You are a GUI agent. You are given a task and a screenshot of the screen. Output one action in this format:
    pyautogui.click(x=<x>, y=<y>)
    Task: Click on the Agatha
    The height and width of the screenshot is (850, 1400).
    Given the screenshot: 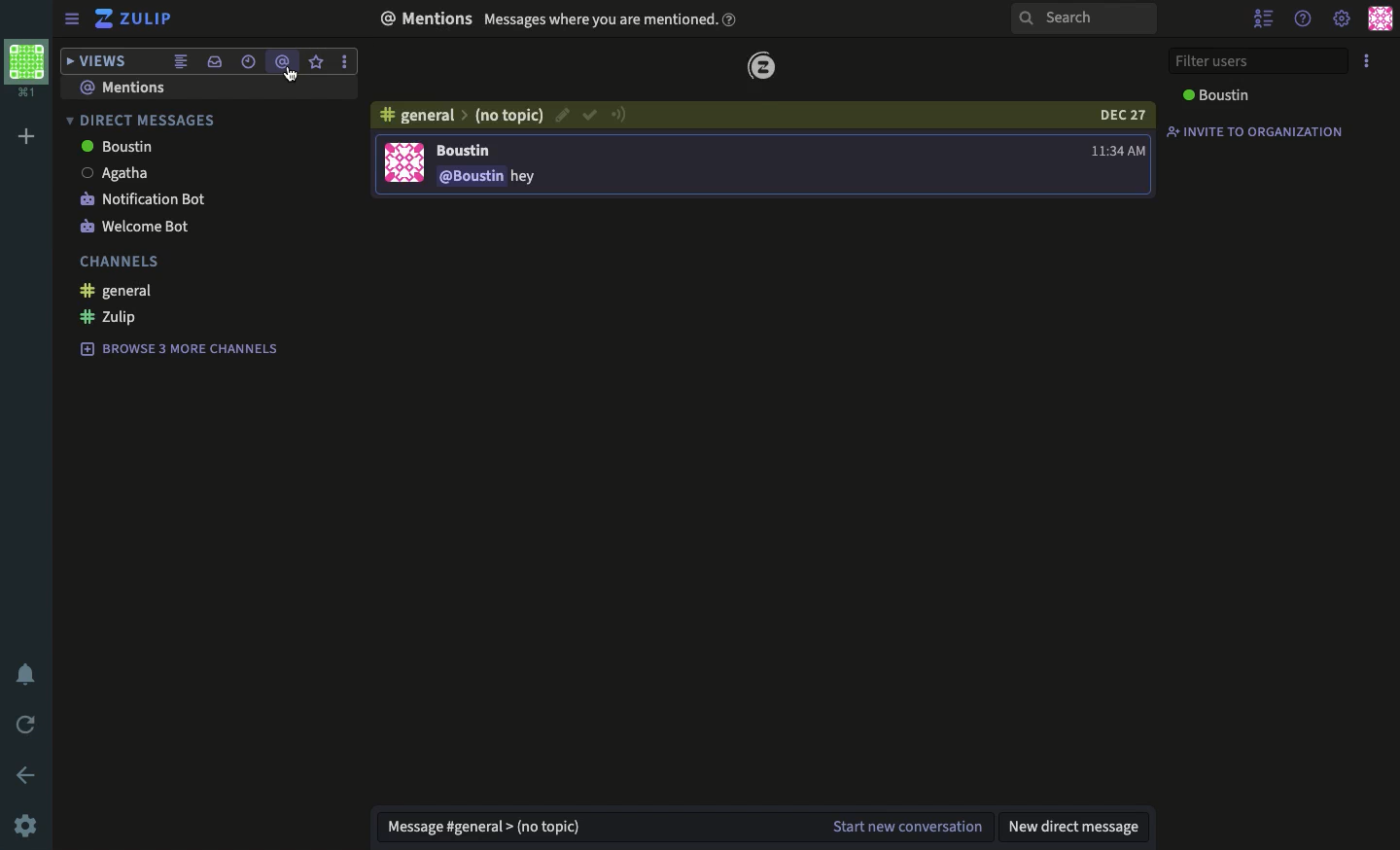 What is the action you would take?
    pyautogui.click(x=118, y=172)
    